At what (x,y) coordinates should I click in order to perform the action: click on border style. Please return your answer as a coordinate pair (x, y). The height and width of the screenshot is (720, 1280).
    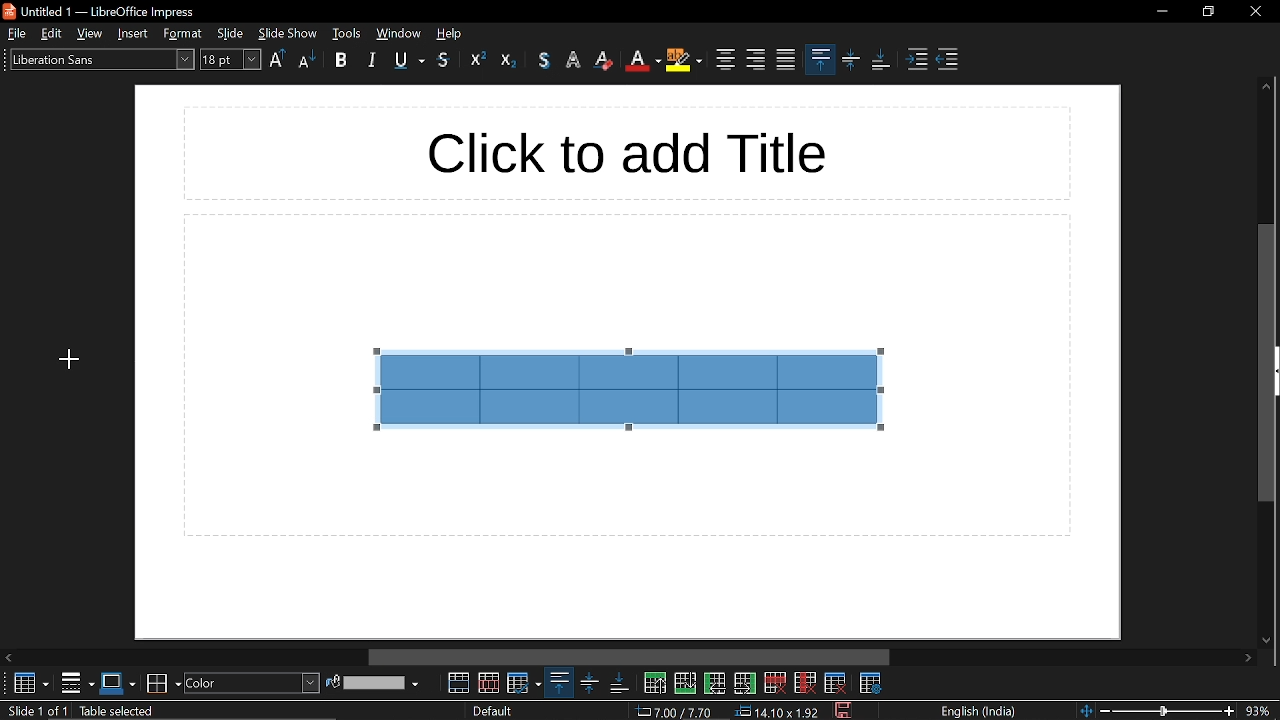
    Looking at the image, I should click on (119, 683).